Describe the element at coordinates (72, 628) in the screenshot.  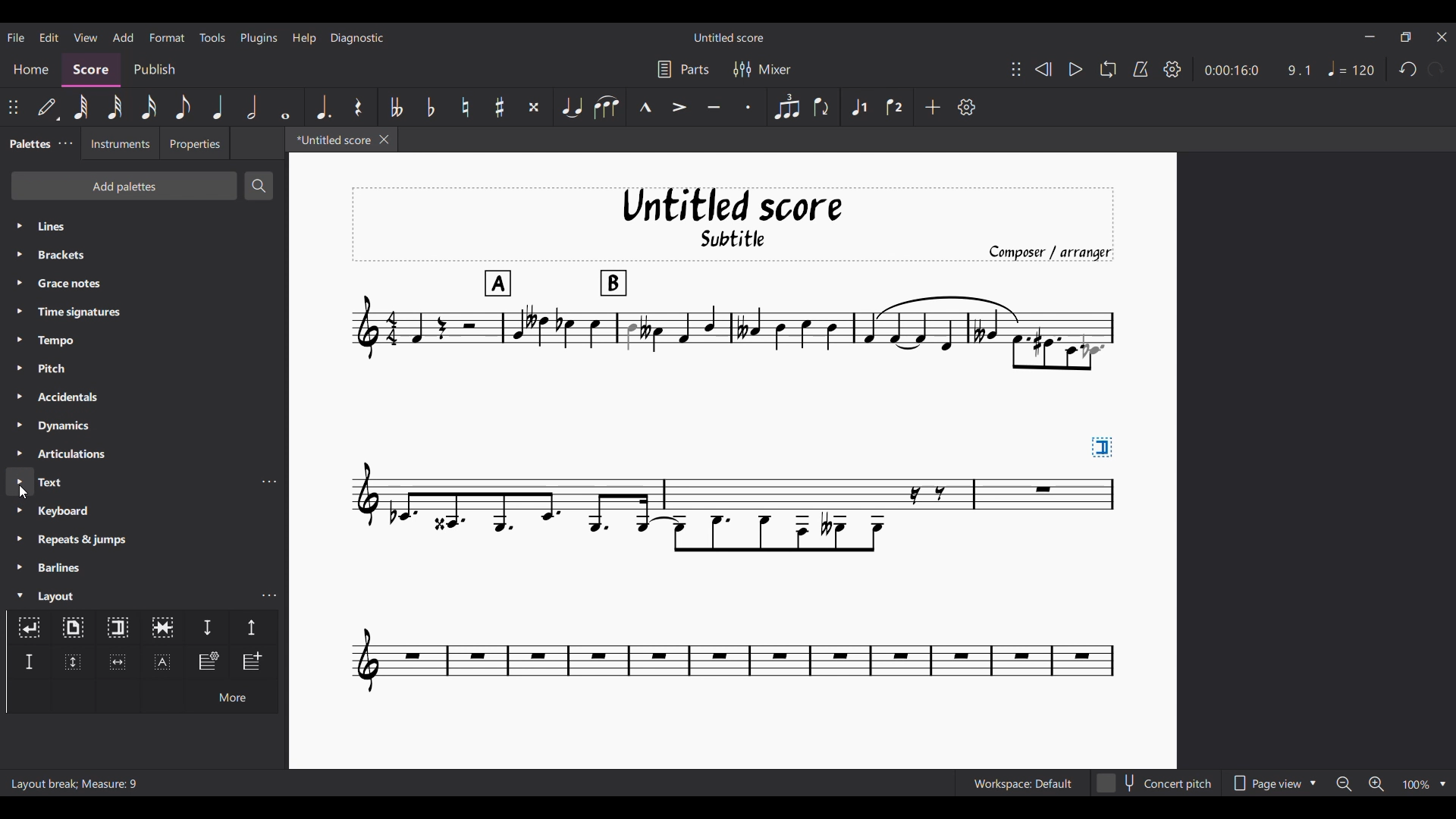
I see `Page break` at that location.